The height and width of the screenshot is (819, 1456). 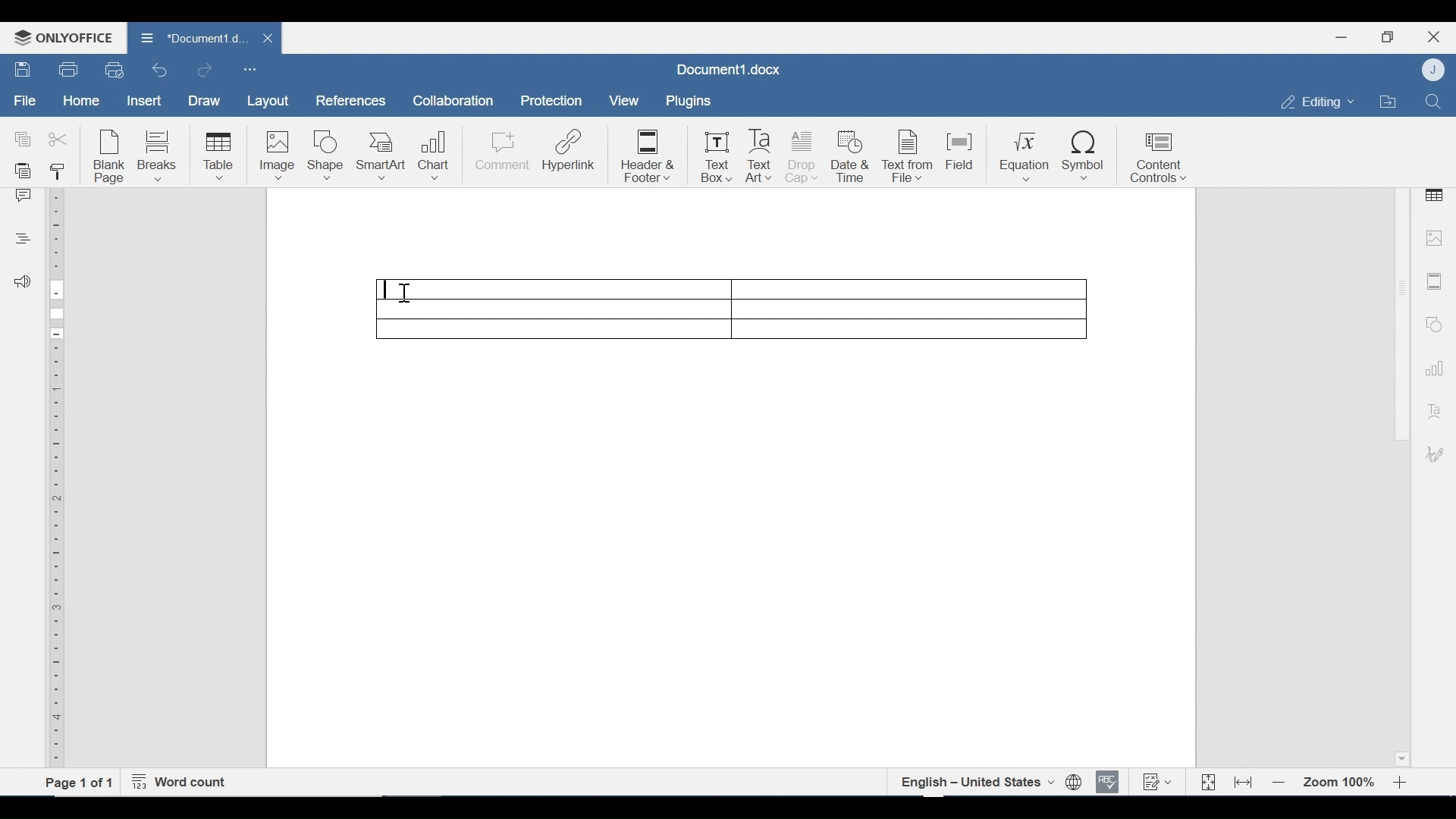 What do you see at coordinates (111, 158) in the screenshot?
I see `Blank Page` at bounding box center [111, 158].